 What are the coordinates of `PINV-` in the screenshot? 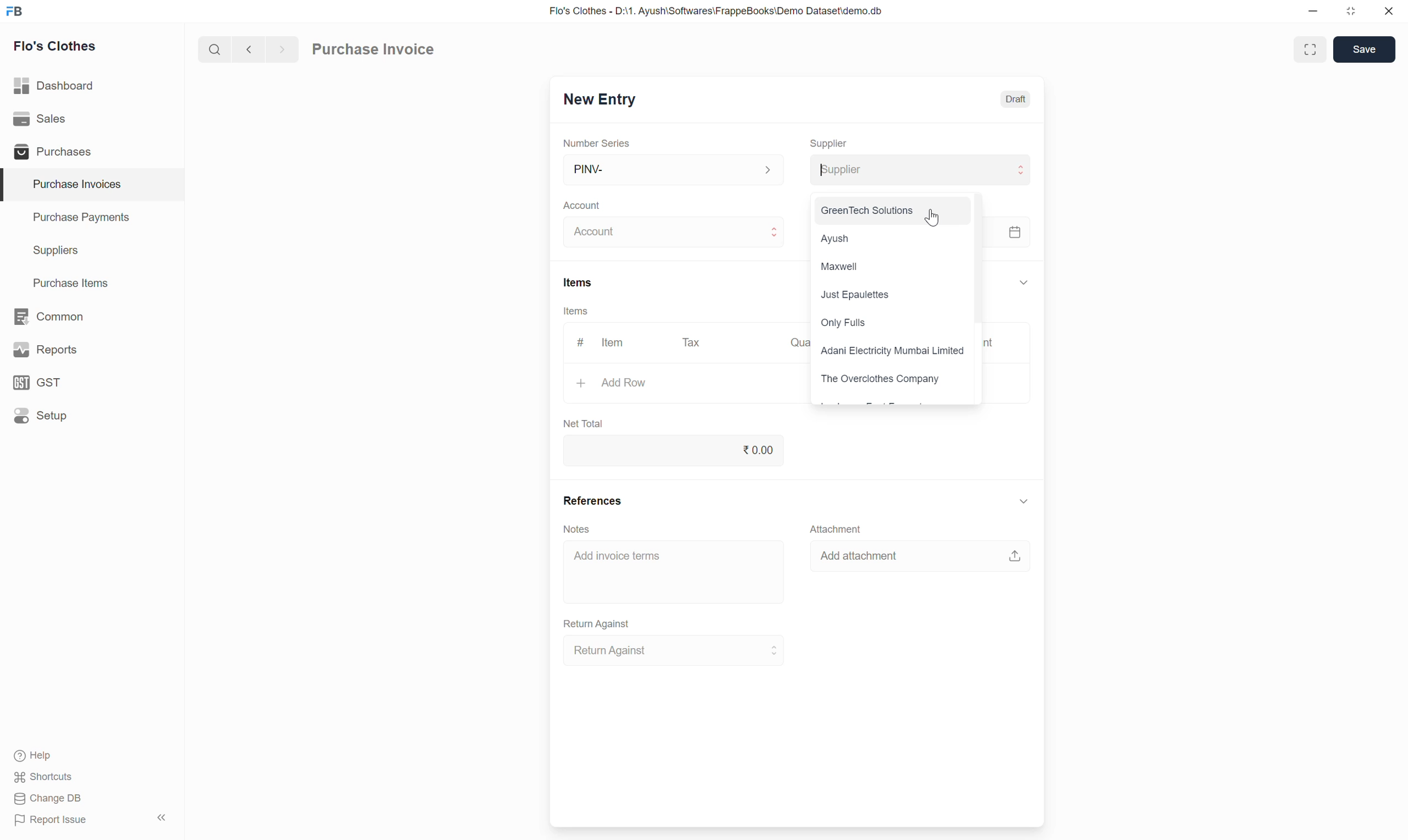 It's located at (674, 169).